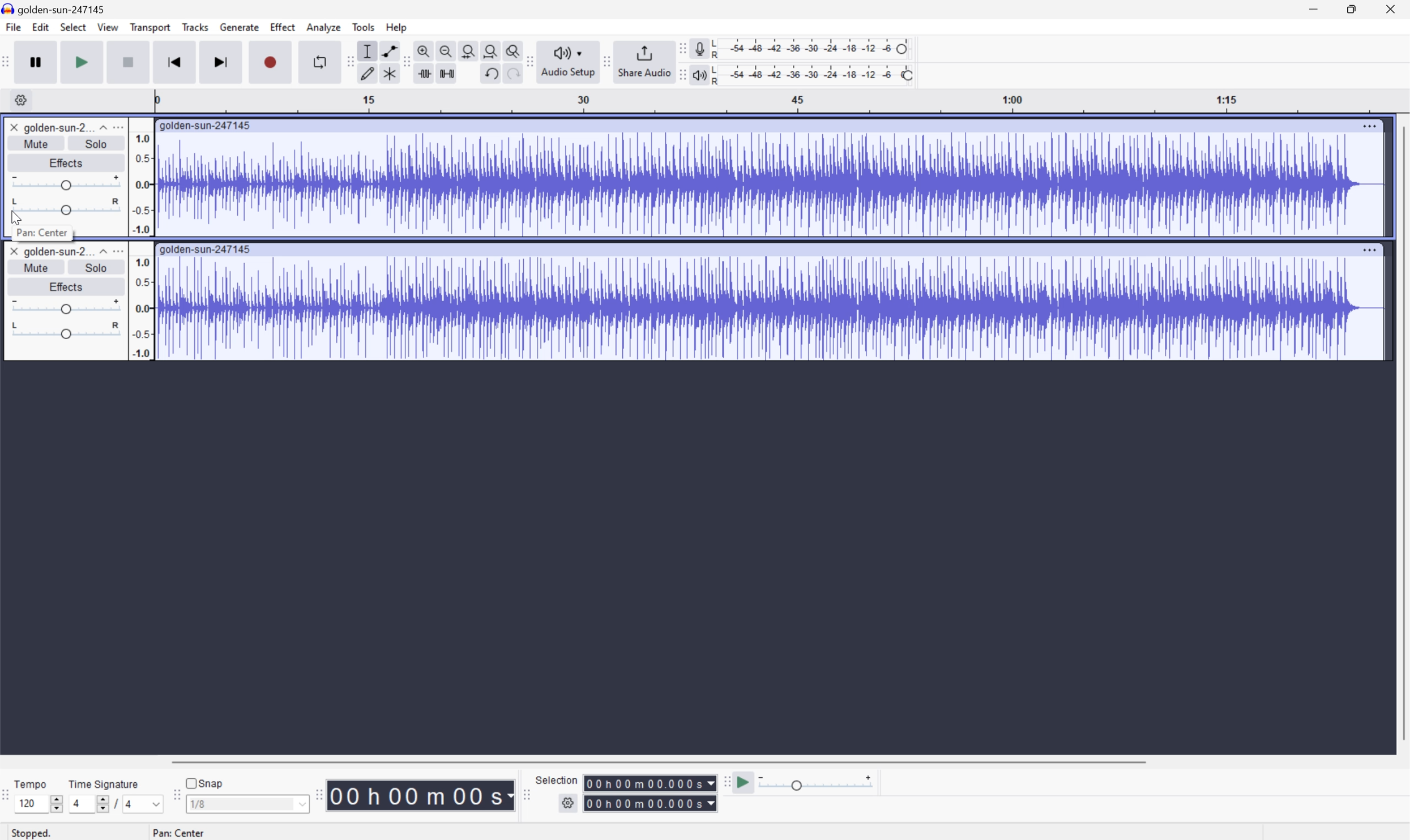  Describe the element at coordinates (389, 50) in the screenshot. I see `Envelope tool` at that location.